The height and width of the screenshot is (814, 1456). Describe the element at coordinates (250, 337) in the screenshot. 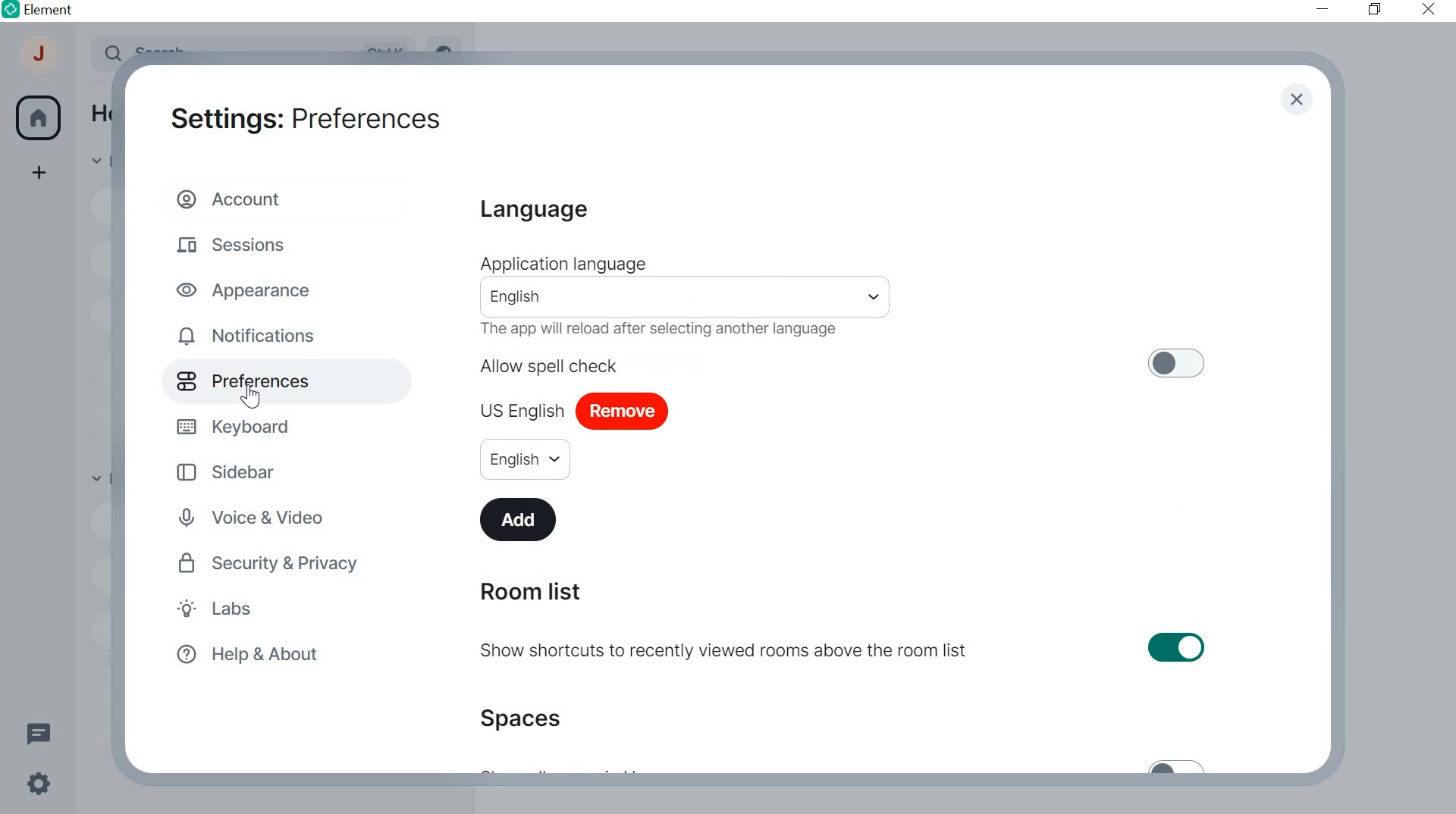

I see `NOTIFICATIONS` at that location.